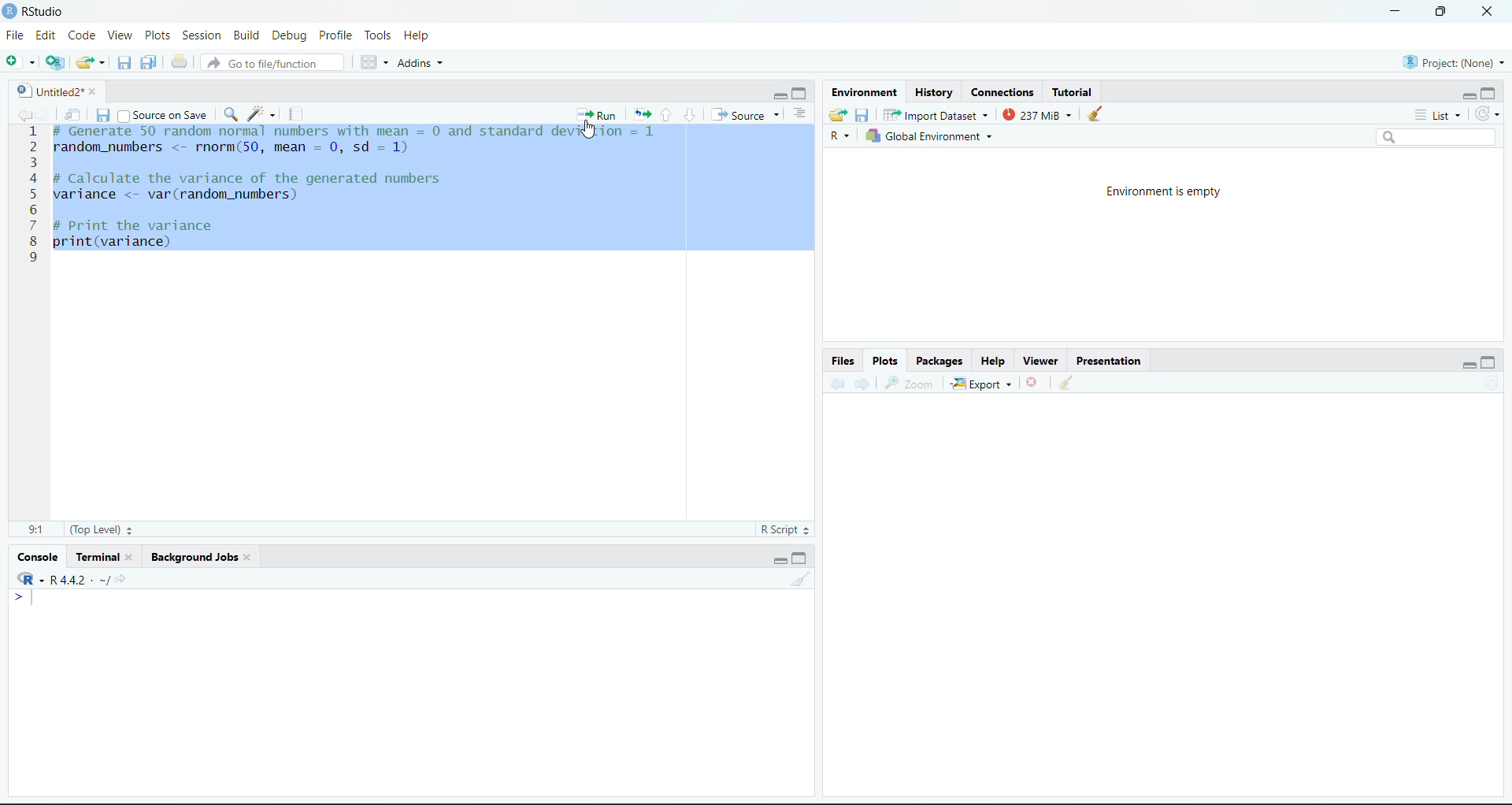 The width and height of the screenshot is (1512, 805). What do you see at coordinates (1162, 193) in the screenshot?
I see `Environment is empty` at bounding box center [1162, 193].